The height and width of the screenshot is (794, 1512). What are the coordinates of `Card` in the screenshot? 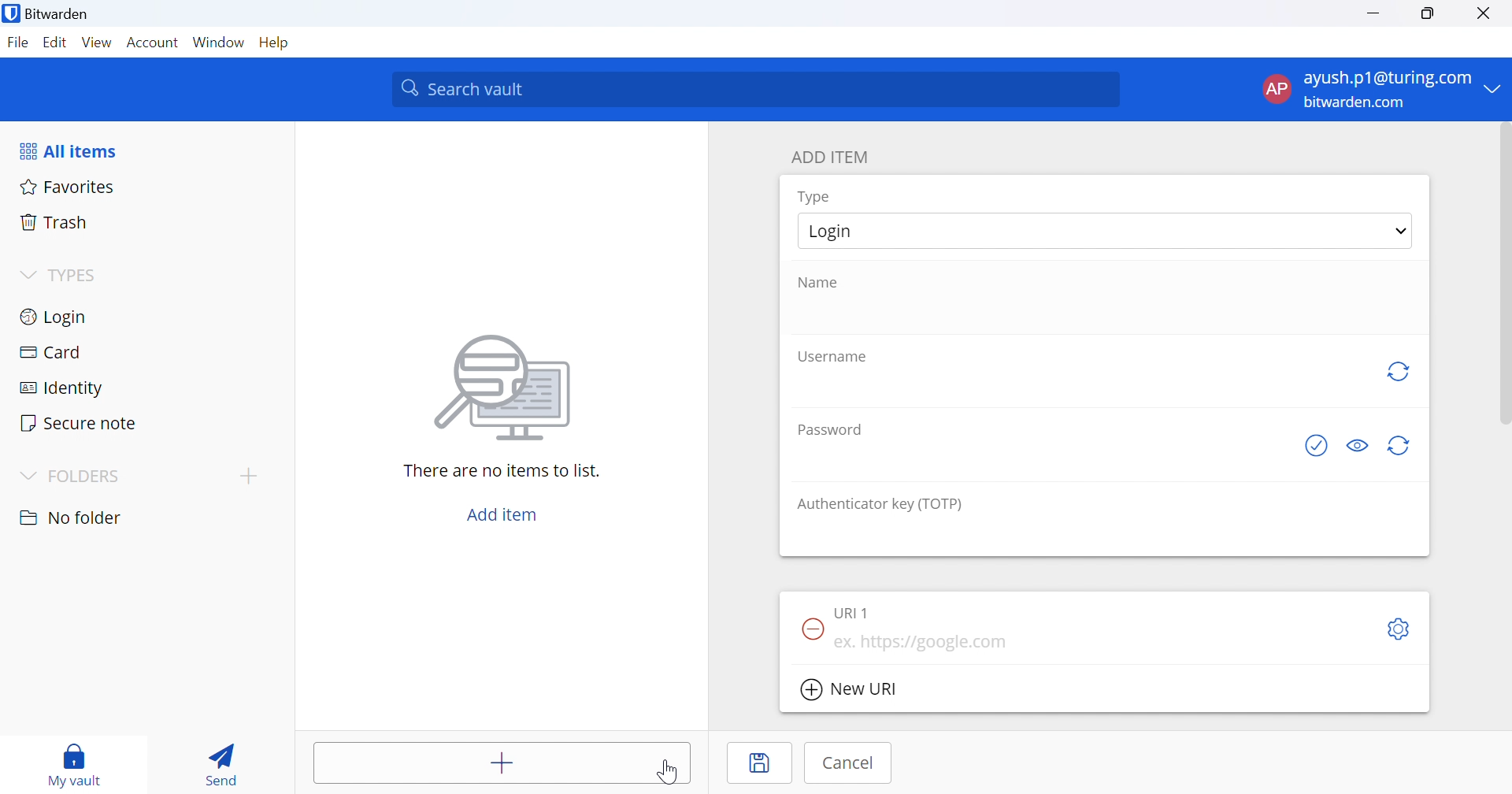 It's located at (51, 351).